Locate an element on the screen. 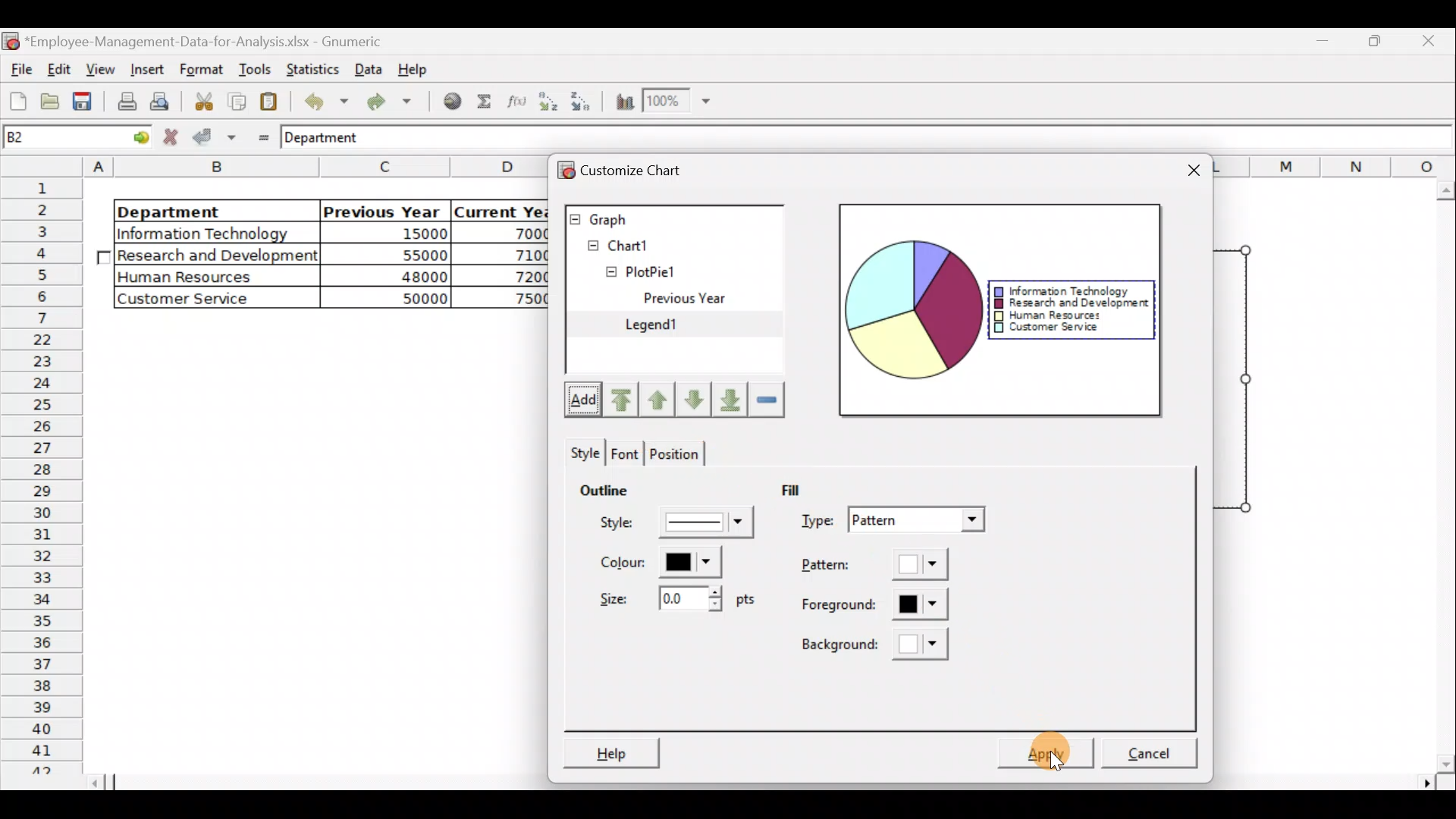 The height and width of the screenshot is (819, 1456). Department is located at coordinates (334, 139).